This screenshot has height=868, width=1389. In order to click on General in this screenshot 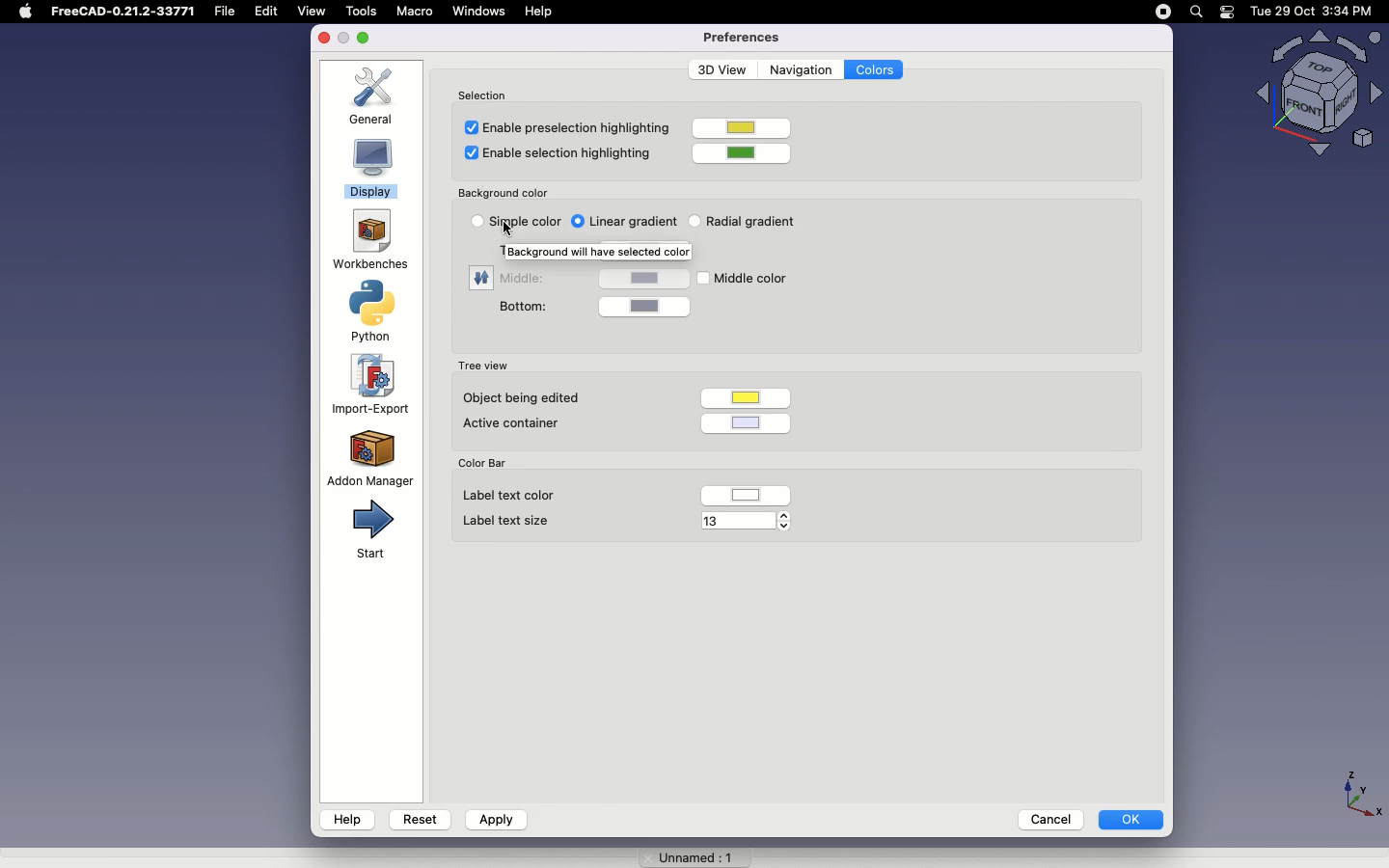, I will do `click(377, 95)`.